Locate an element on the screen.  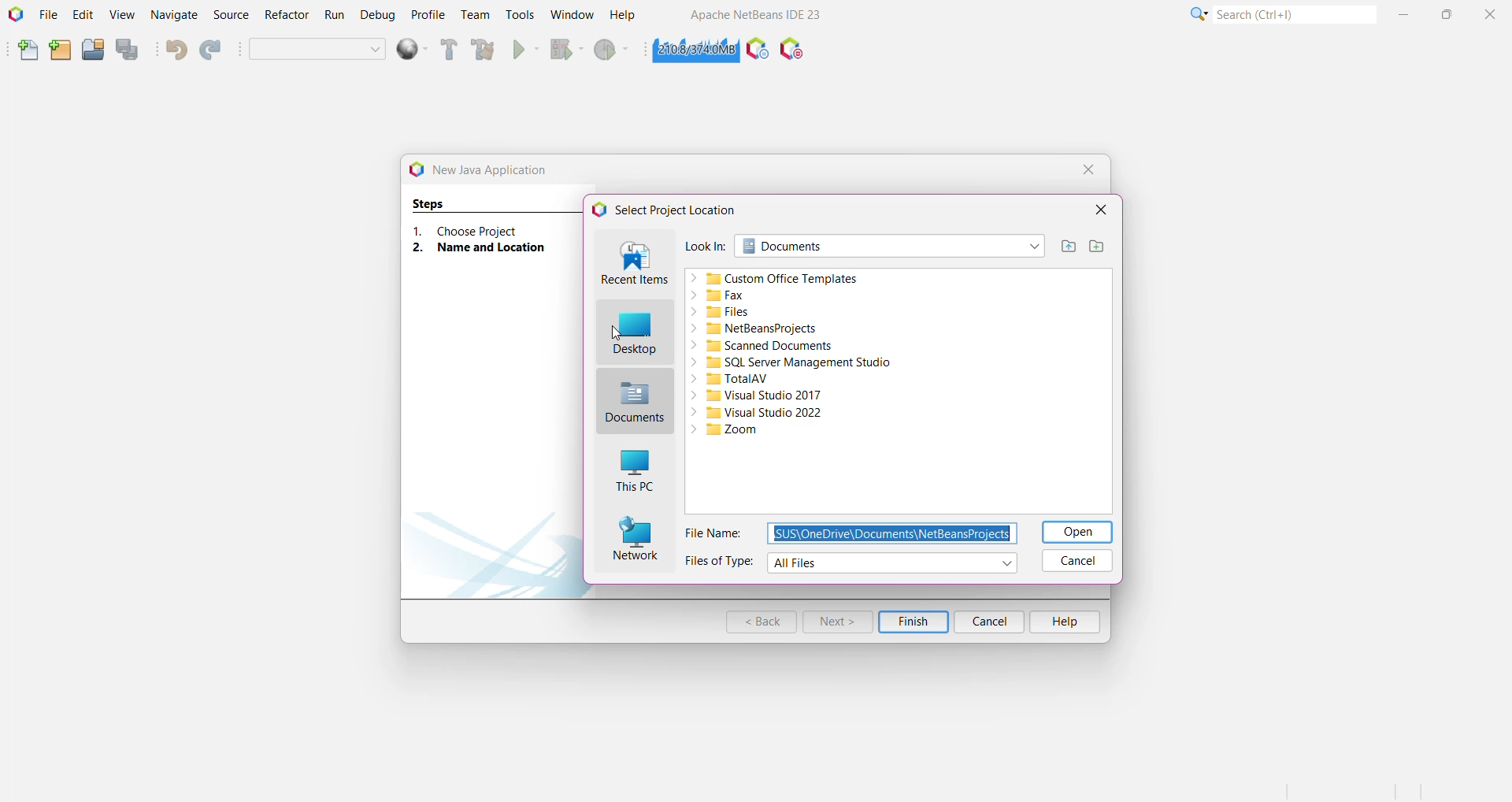
Refractor is located at coordinates (285, 15).